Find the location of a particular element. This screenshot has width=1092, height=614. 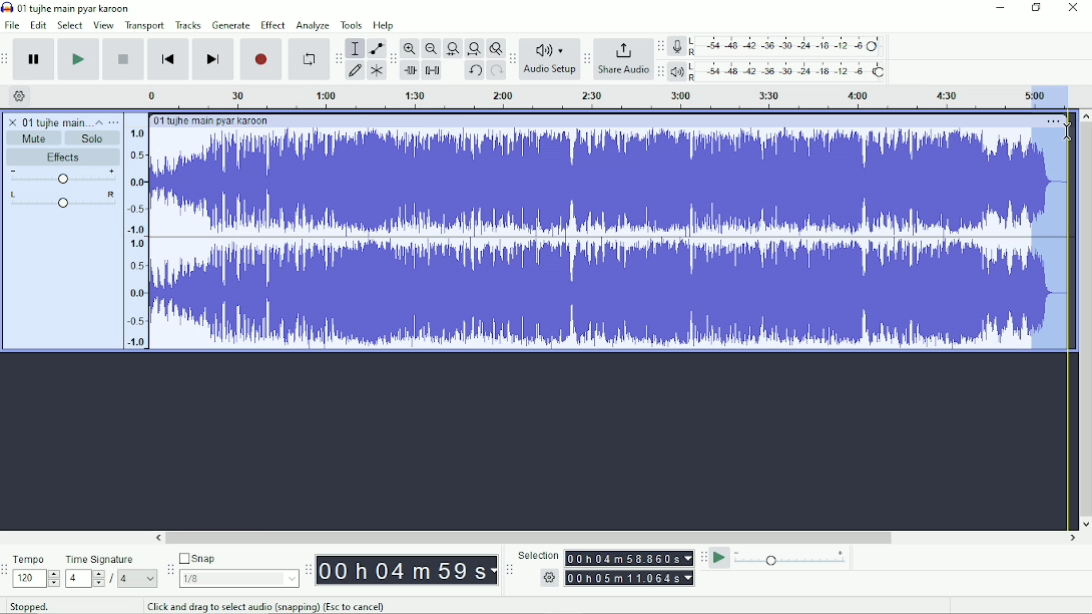

Audacity play-at-speed toolbar is located at coordinates (703, 558).